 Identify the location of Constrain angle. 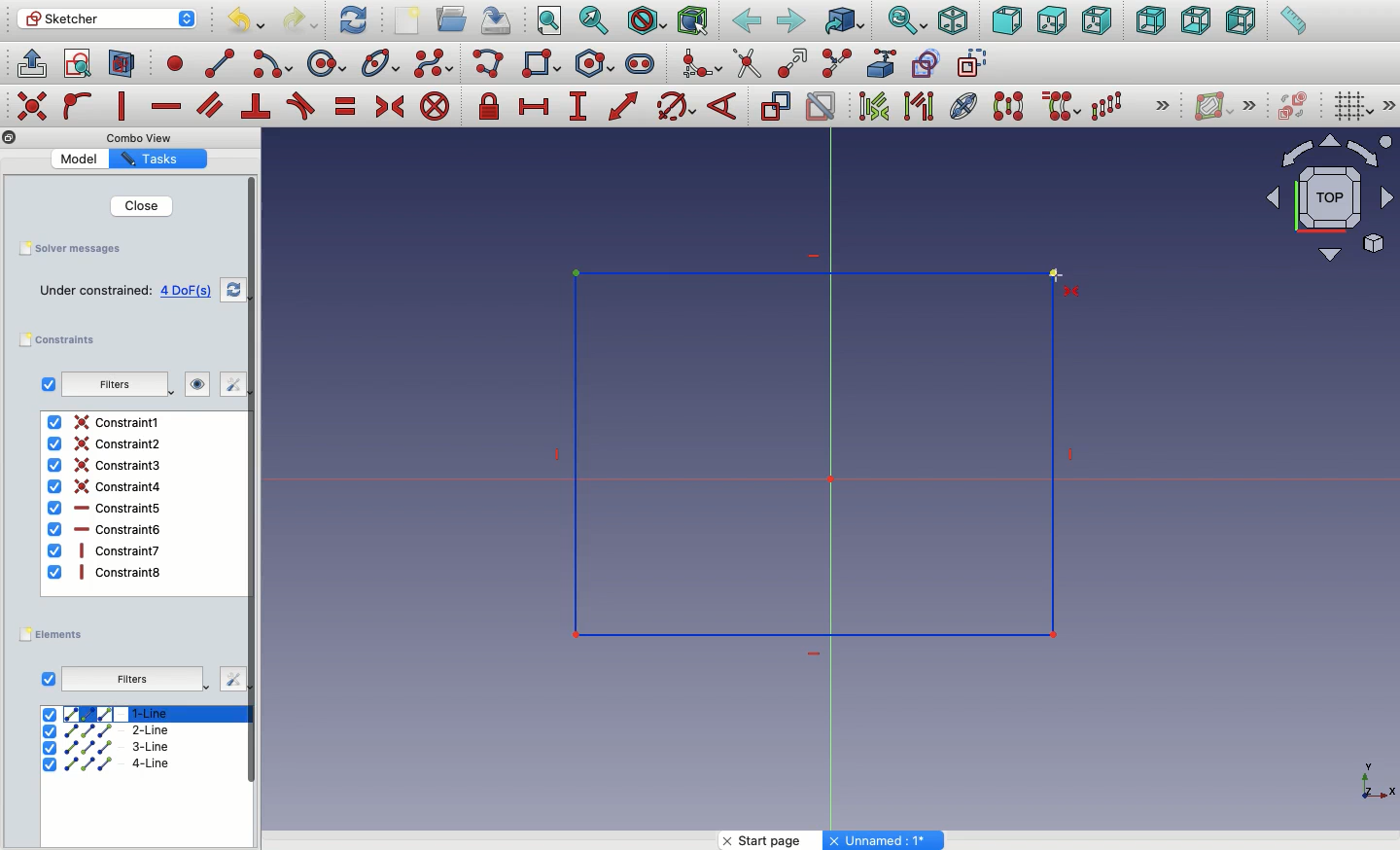
(722, 106).